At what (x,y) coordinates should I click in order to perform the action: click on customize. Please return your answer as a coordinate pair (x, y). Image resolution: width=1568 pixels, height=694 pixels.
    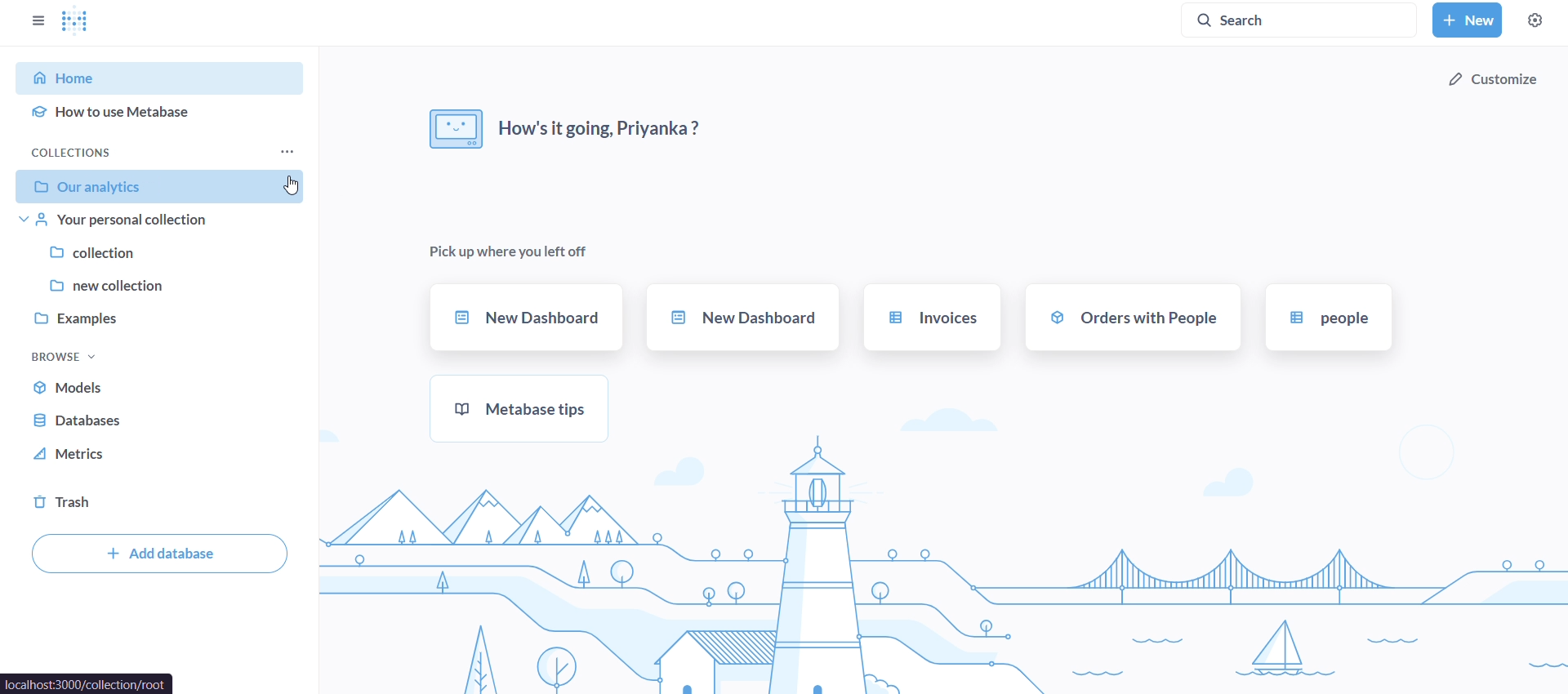
    Looking at the image, I should click on (1493, 80).